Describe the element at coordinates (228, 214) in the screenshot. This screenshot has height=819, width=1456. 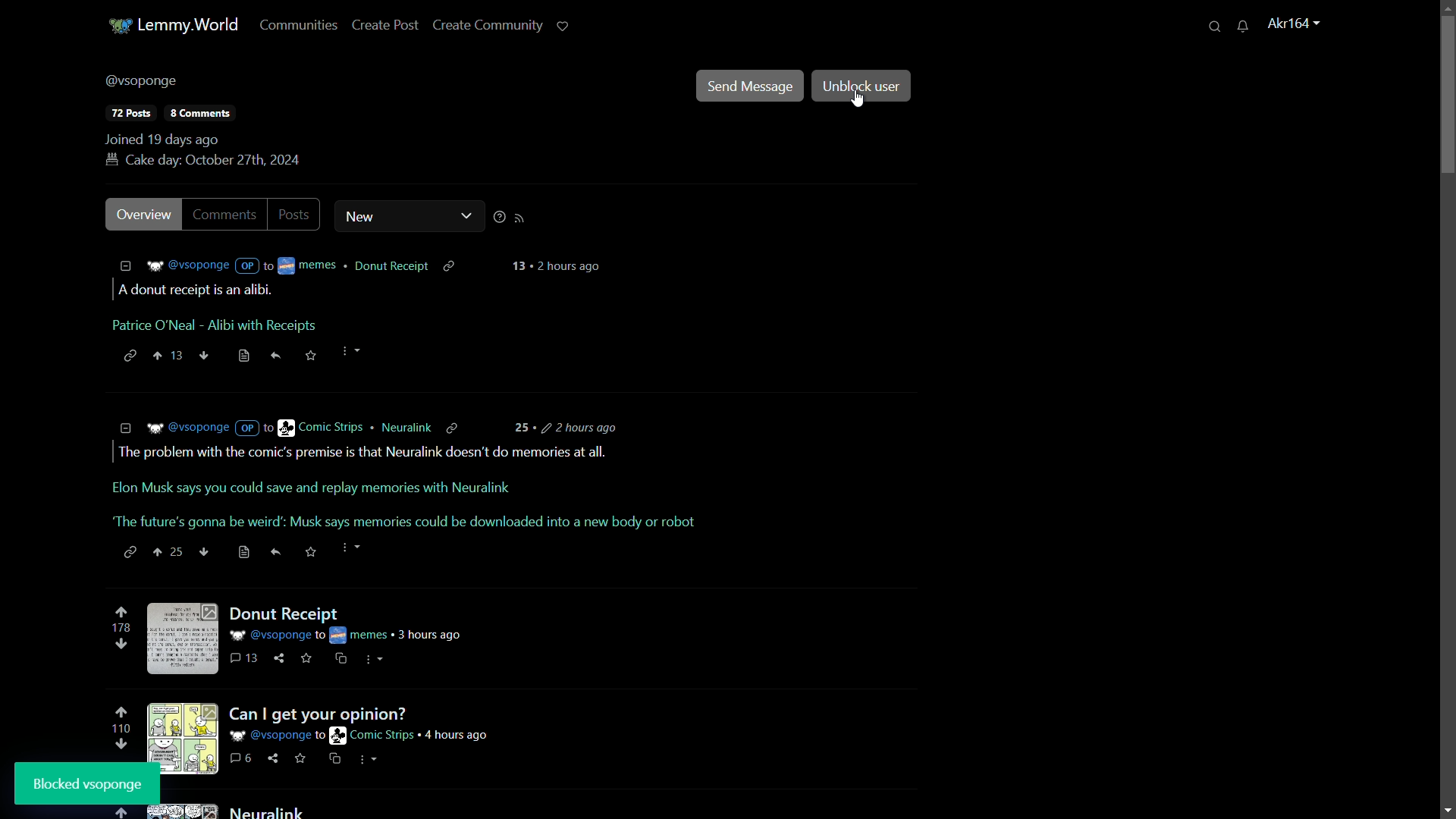
I see `comments` at that location.